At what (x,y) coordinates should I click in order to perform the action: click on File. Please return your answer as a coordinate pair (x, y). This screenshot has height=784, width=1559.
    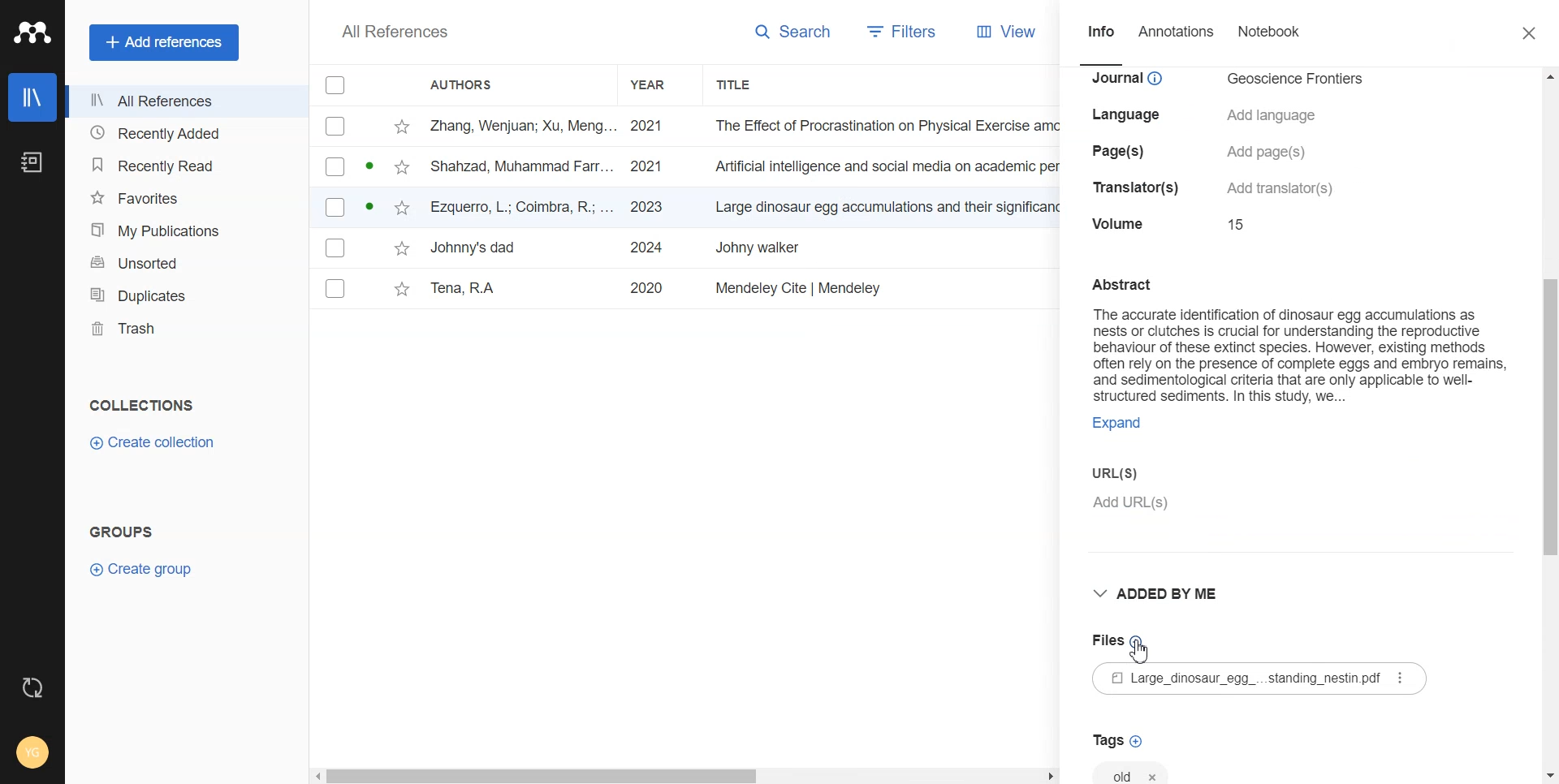
    Looking at the image, I should click on (750, 207).